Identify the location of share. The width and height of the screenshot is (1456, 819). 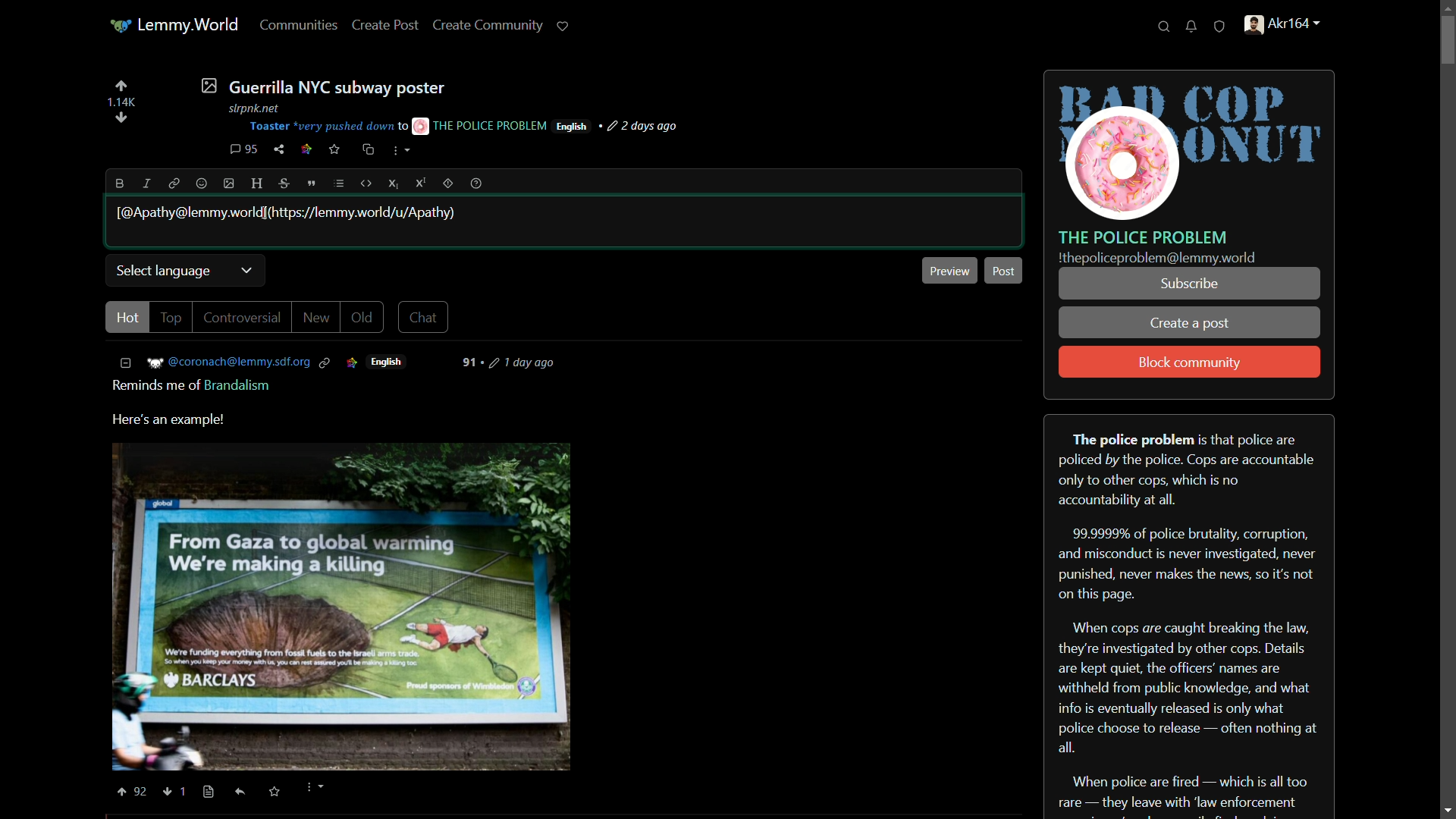
(279, 149).